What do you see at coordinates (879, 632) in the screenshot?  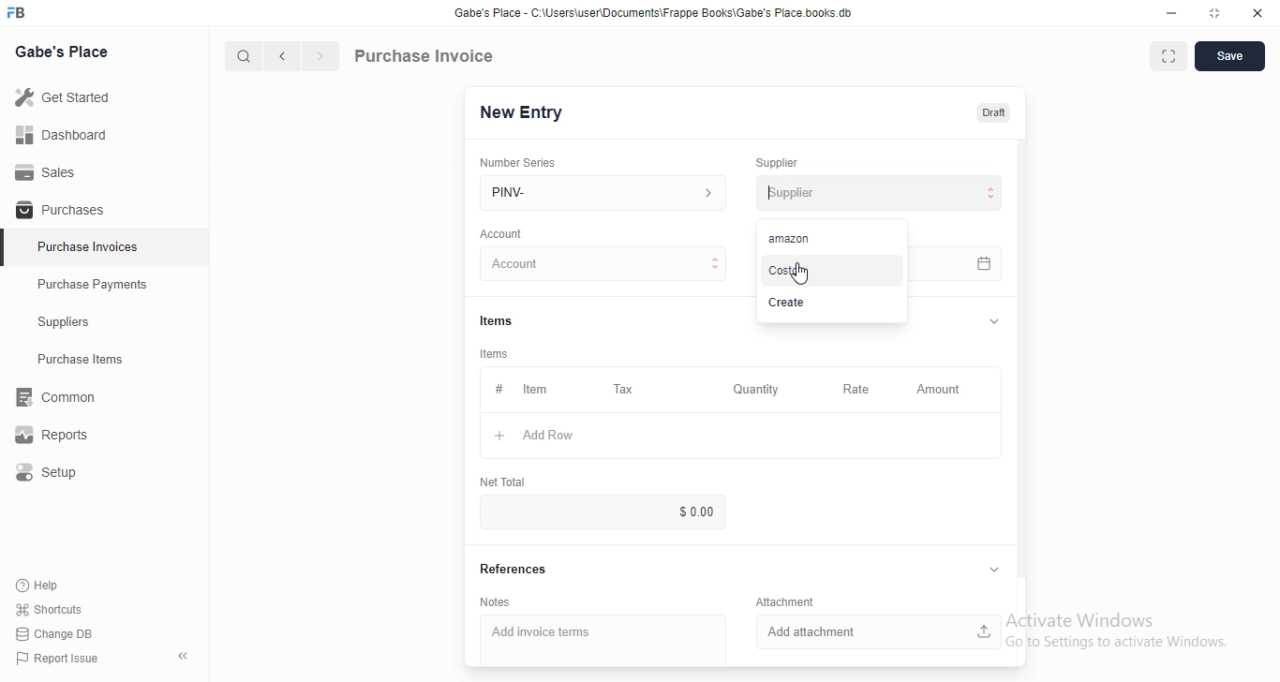 I see `Add attachment` at bounding box center [879, 632].